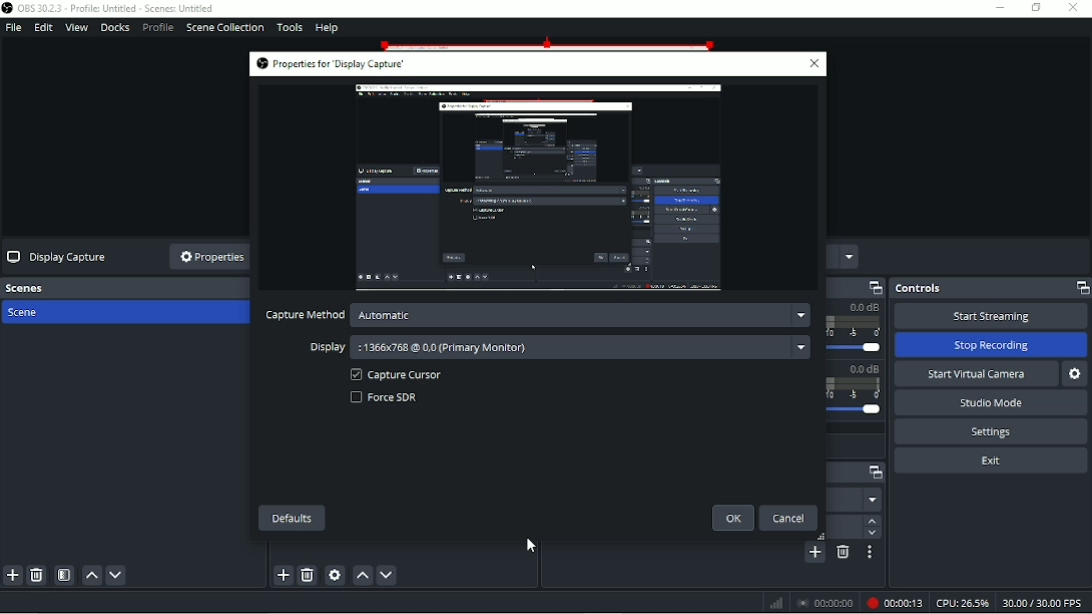 The image size is (1092, 614). Describe the element at coordinates (158, 28) in the screenshot. I see `Profile` at that location.